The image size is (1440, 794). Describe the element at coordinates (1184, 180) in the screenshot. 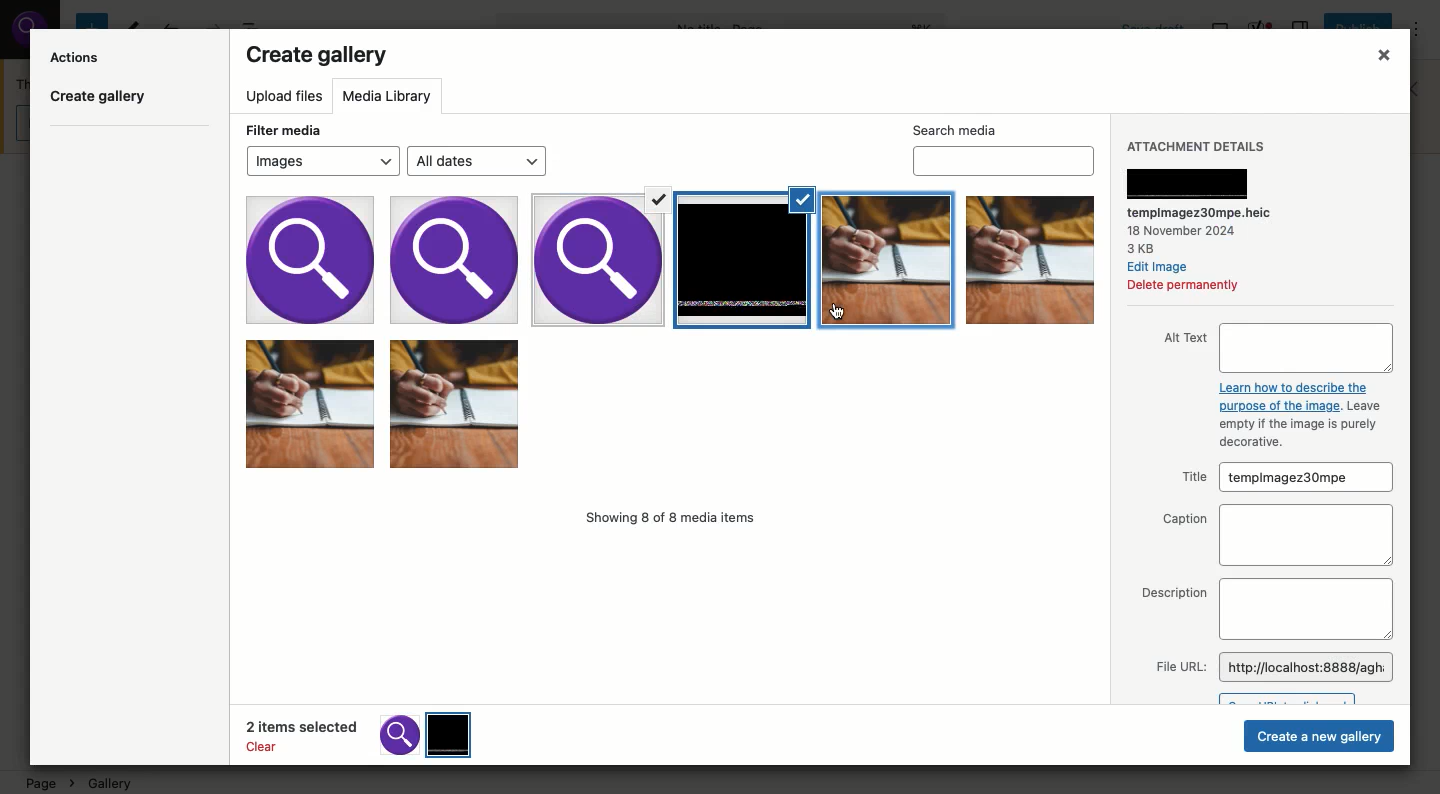

I see `Attachment details` at that location.